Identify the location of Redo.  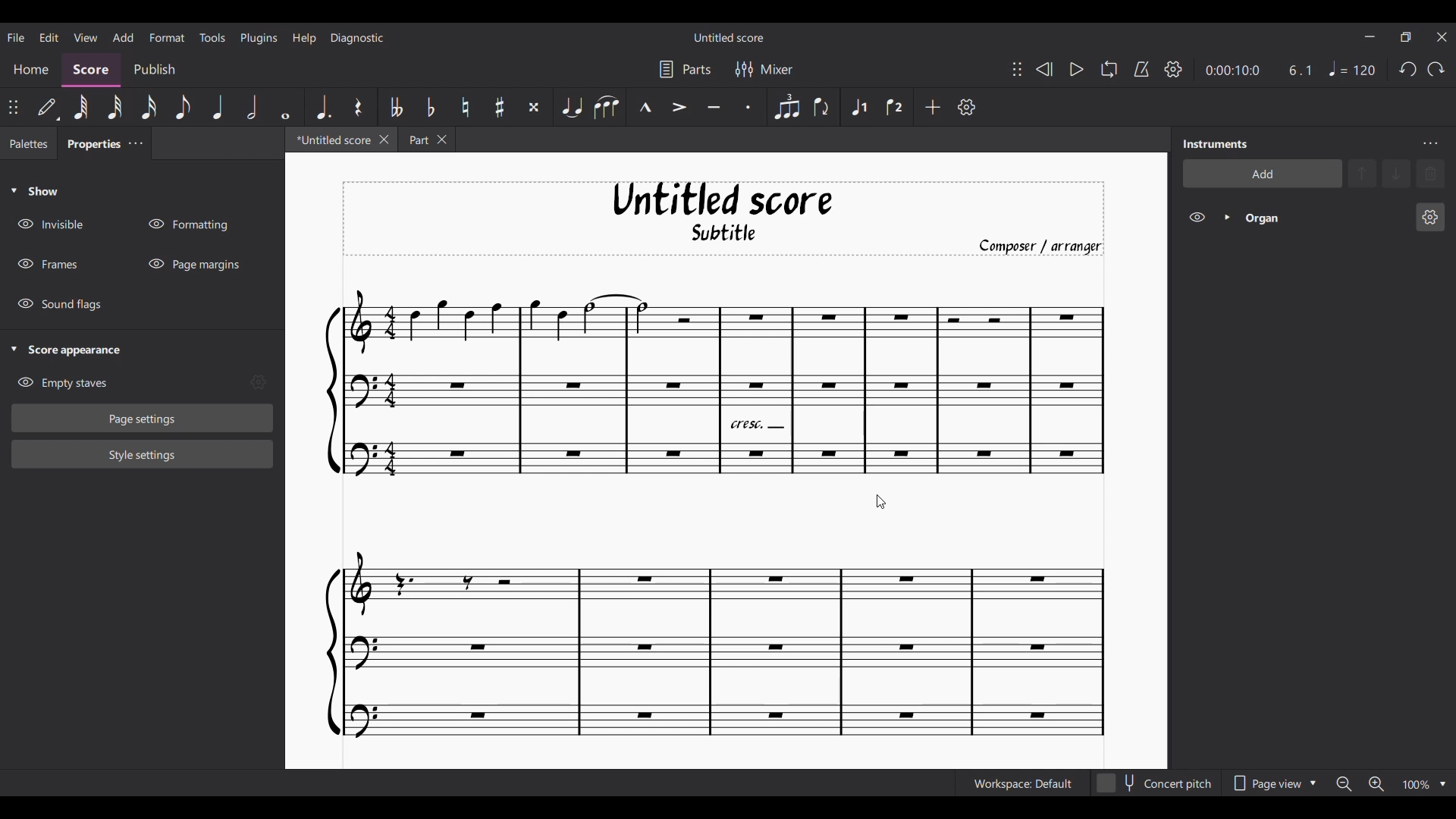
(1436, 68).